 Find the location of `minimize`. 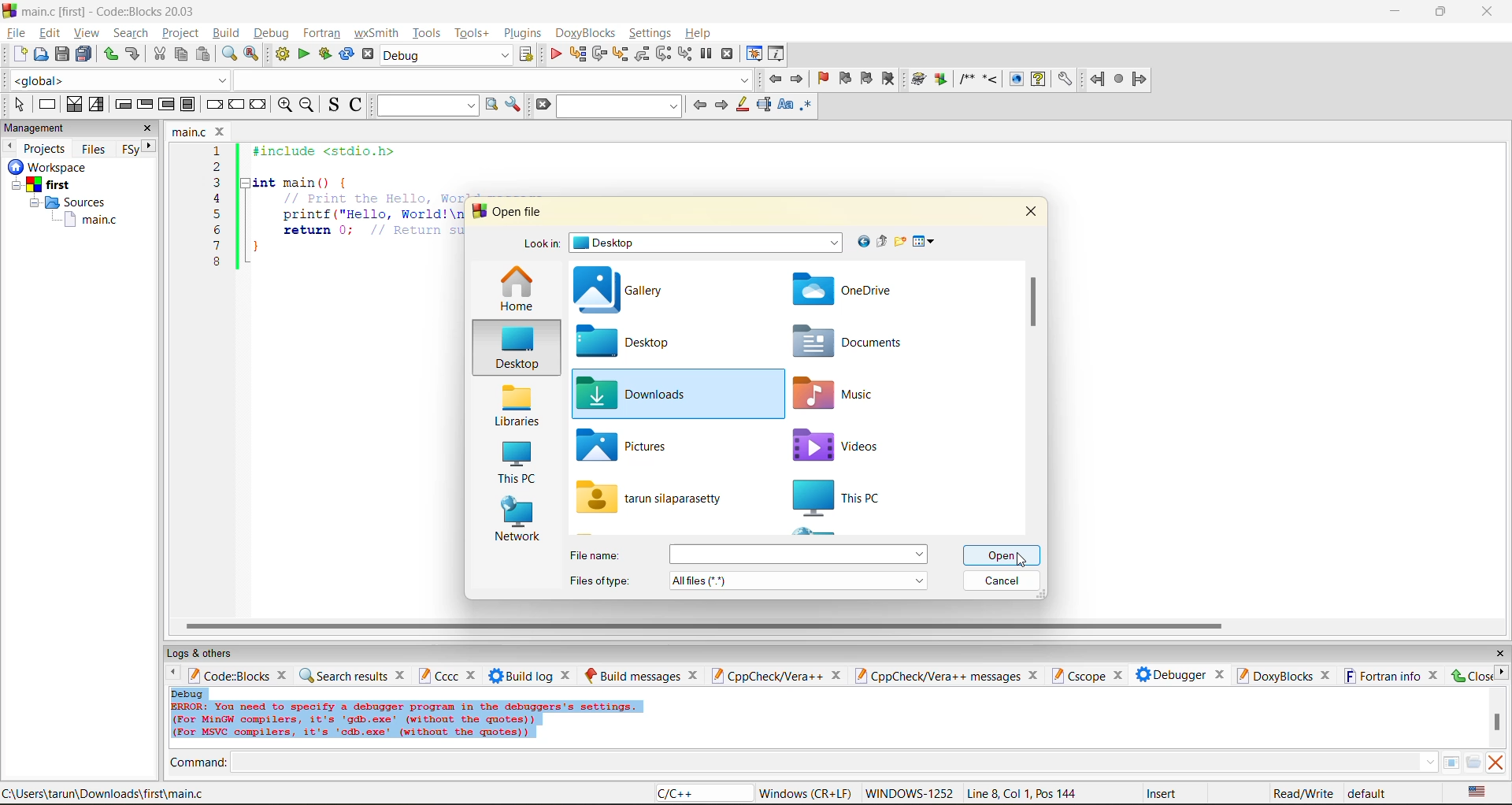

minimize is located at coordinates (1396, 12).